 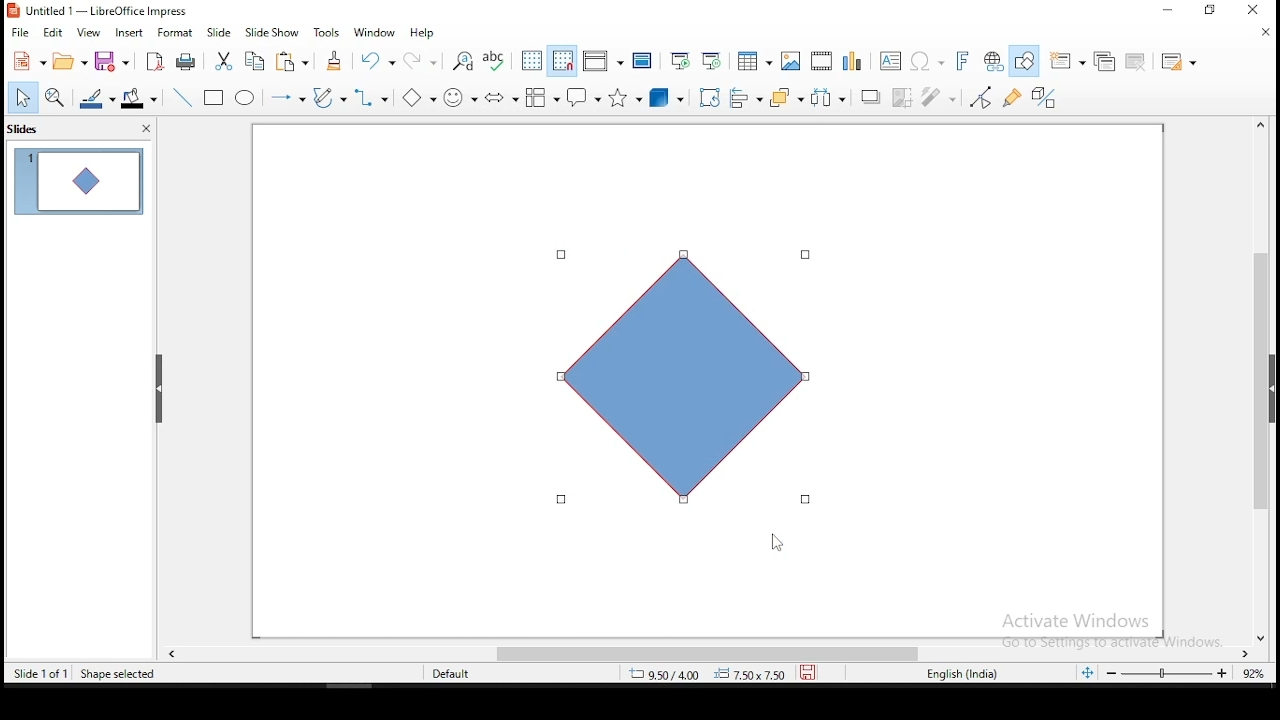 I want to click on Minimize sidebar, so click(x=158, y=390).